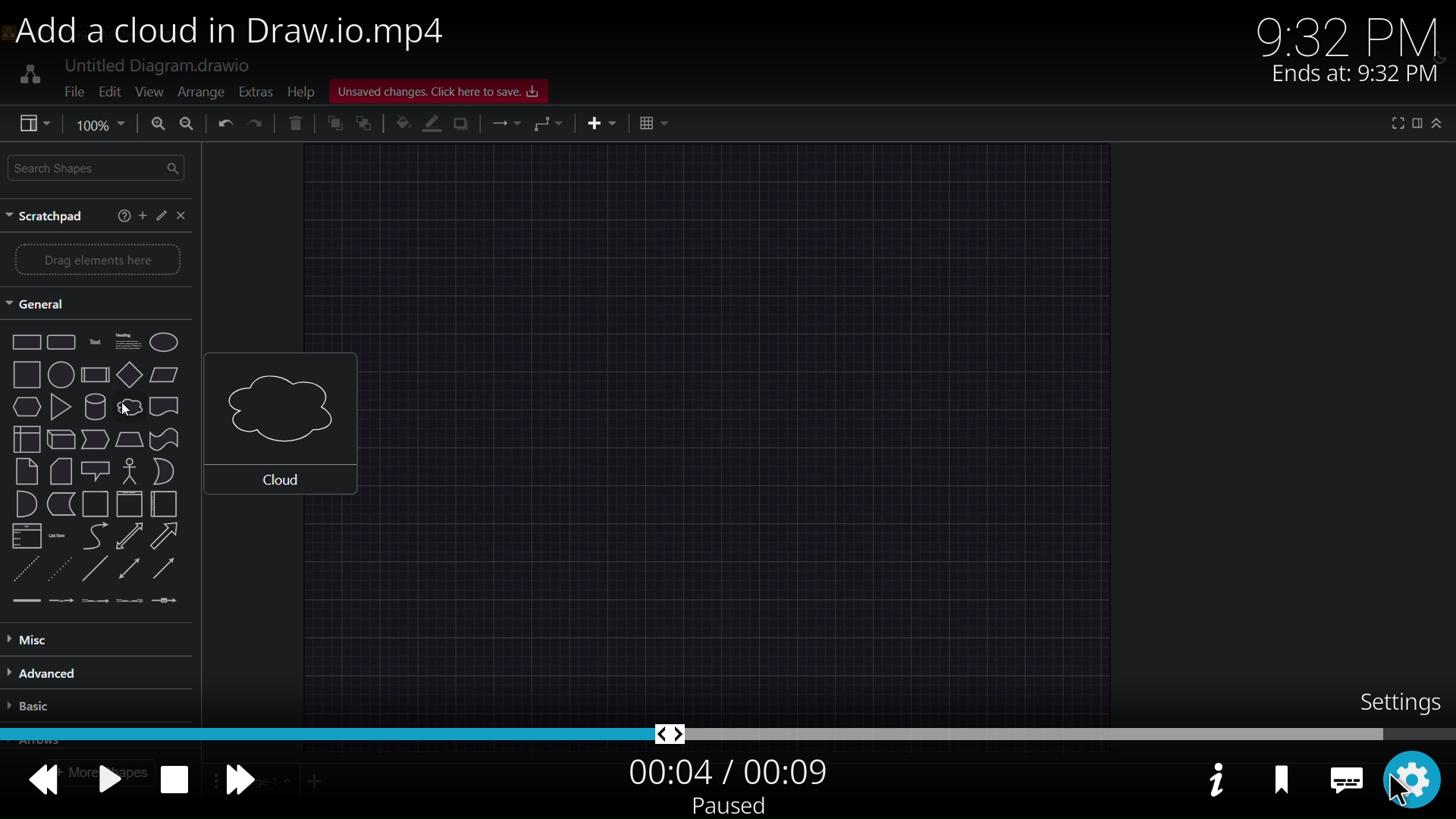  What do you see at coordinates (1355, 73) in the screenshot?
I see `Ends at: 9:32 PM` at bounding box center [1355, 73].